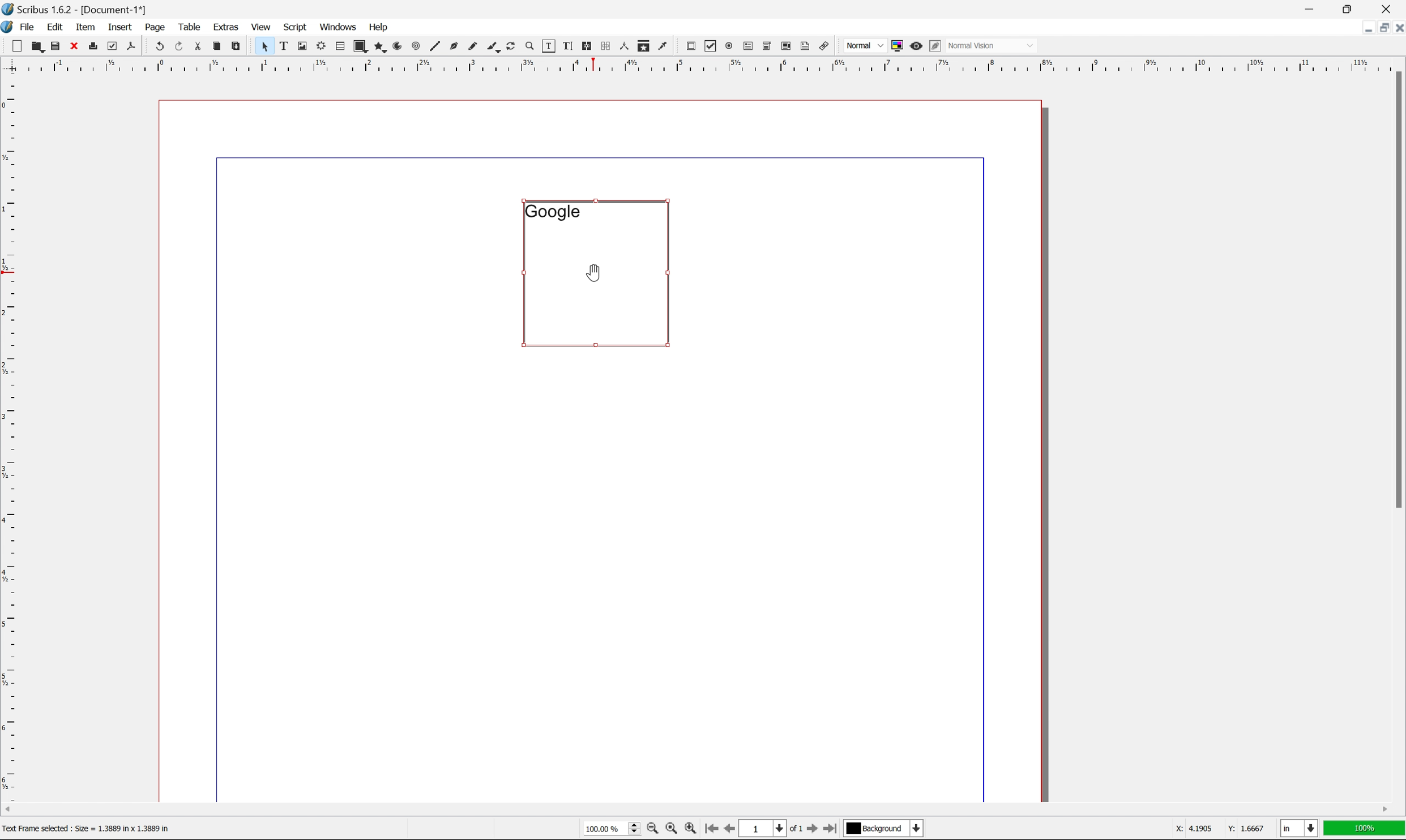  I want to click on open, so click(36, 47).